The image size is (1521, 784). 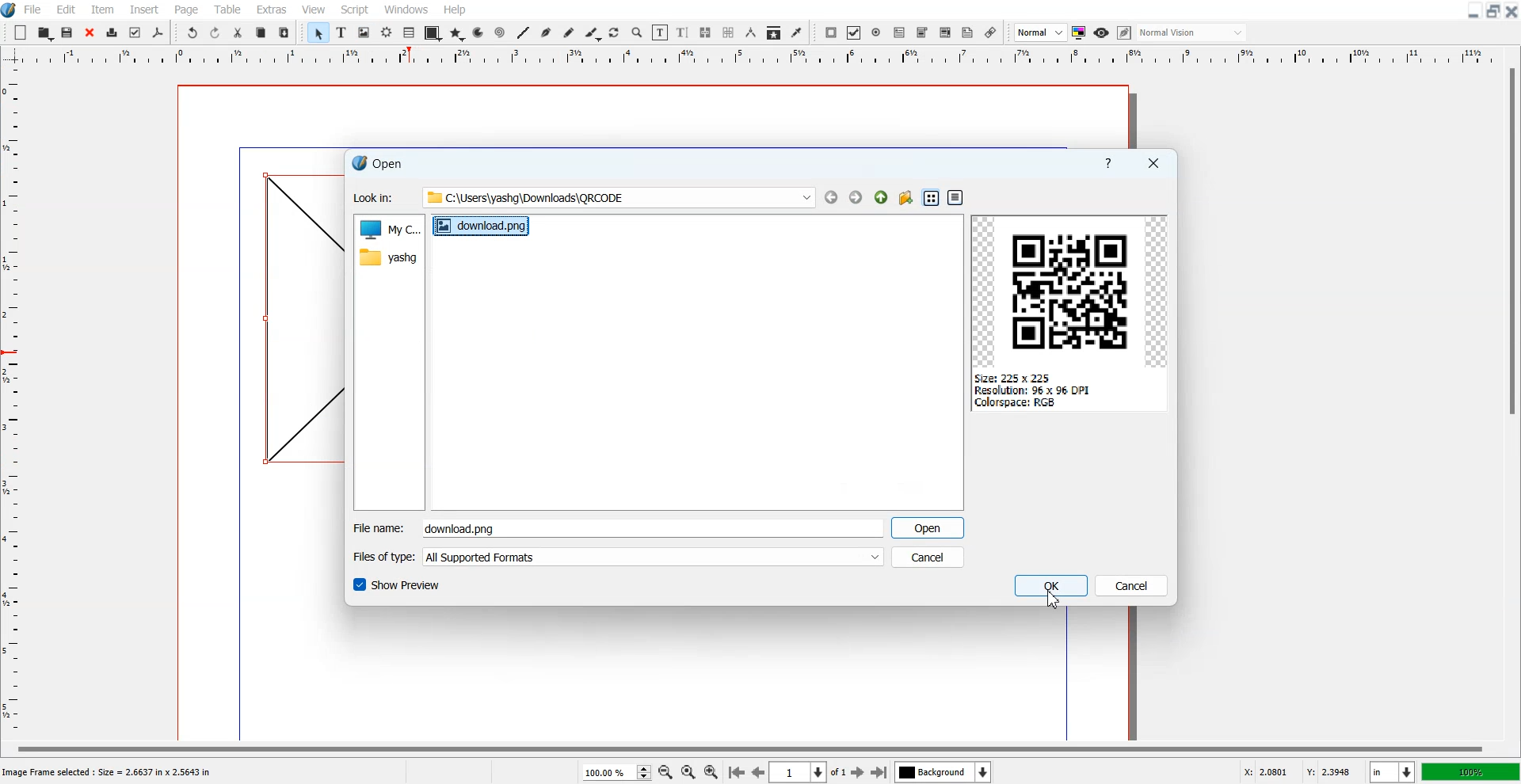 What do you see at coordinates (1393, 771) in the screenshot?
I see `Measurement in inches` at bounding box center [1393, 771].